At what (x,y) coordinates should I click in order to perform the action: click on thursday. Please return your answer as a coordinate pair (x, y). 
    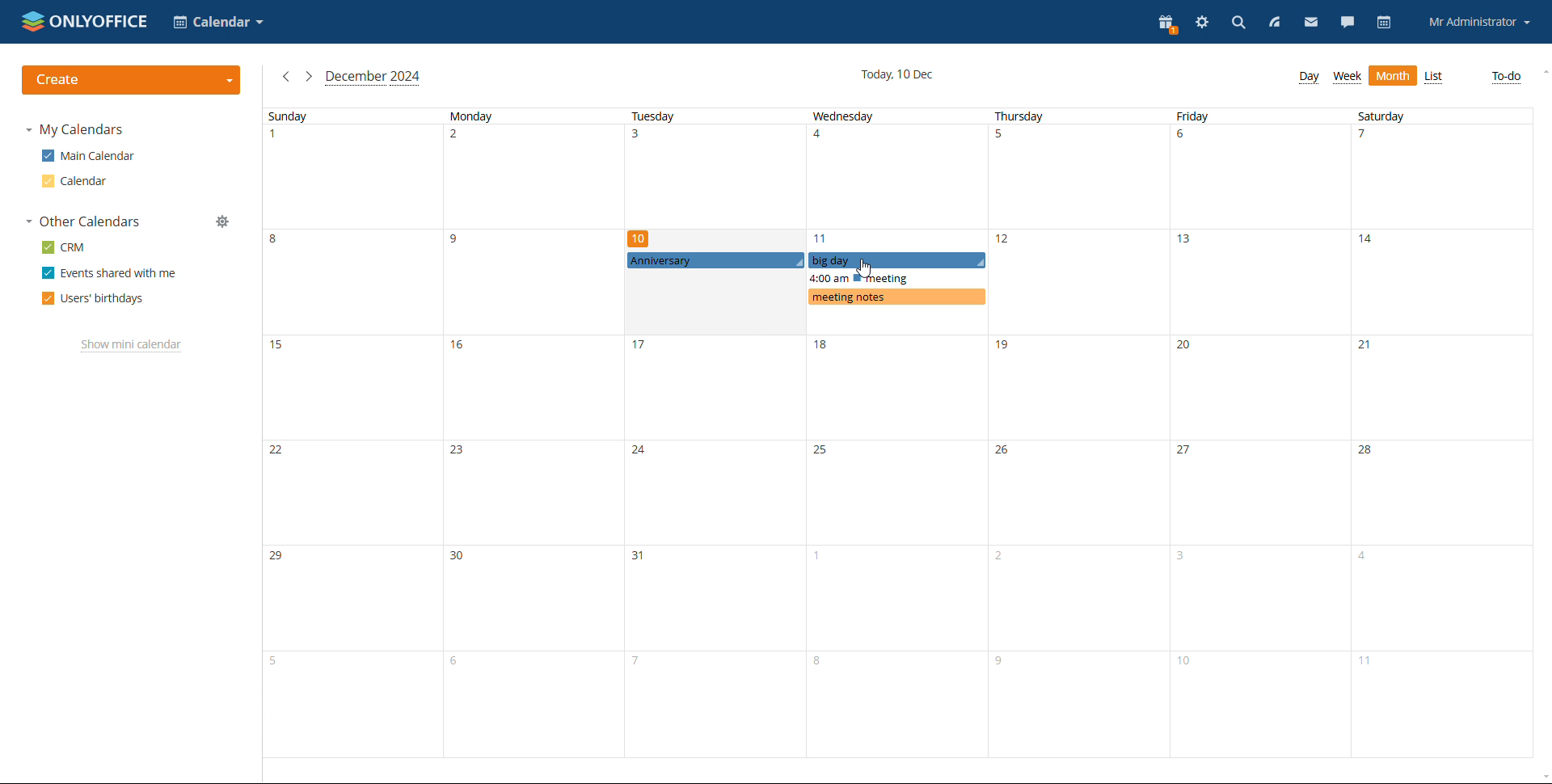
    Looking at the image, I should click on (1078, 433).